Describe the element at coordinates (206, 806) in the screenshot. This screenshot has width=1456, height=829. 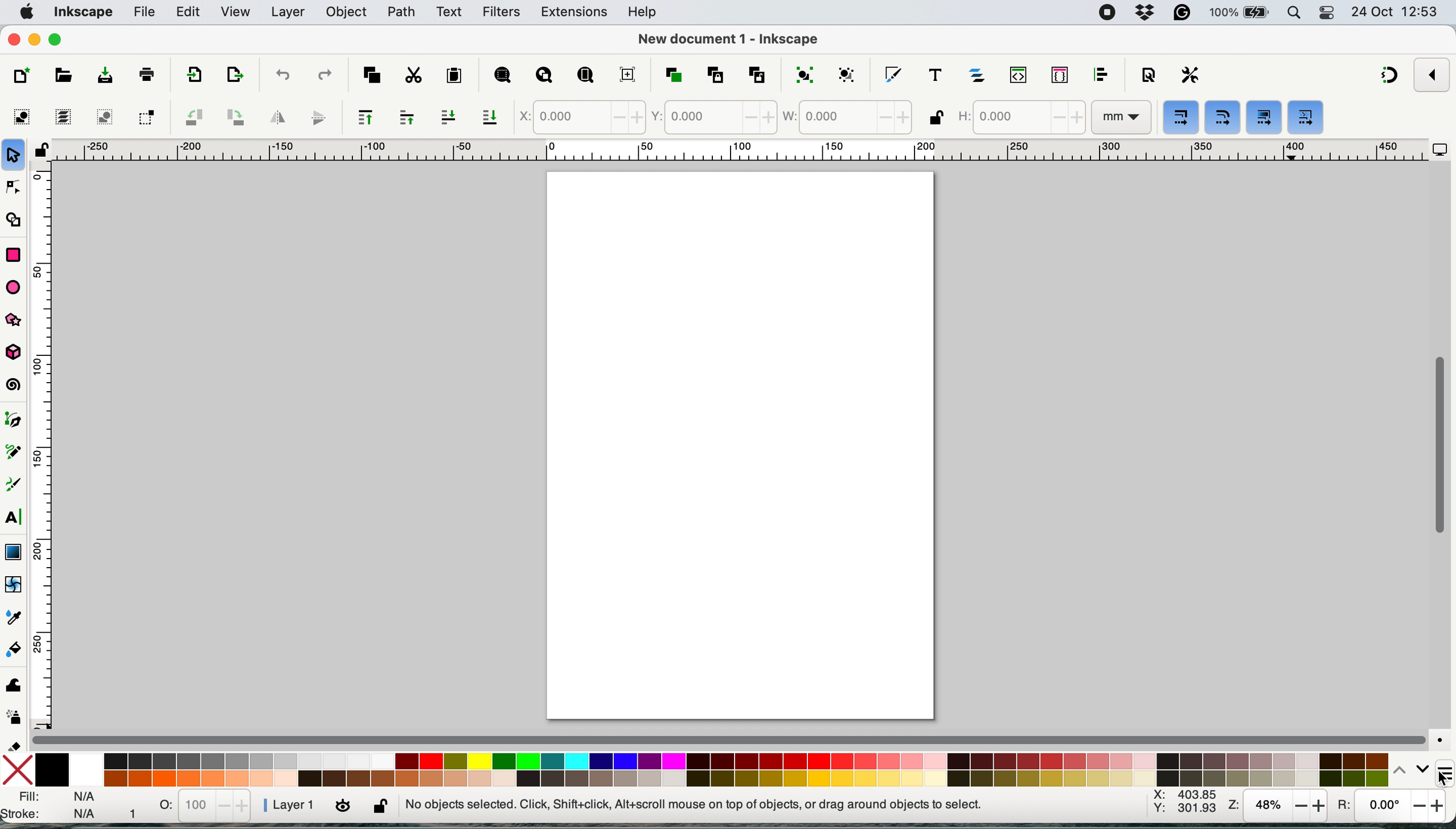
I see `stats` at that location.